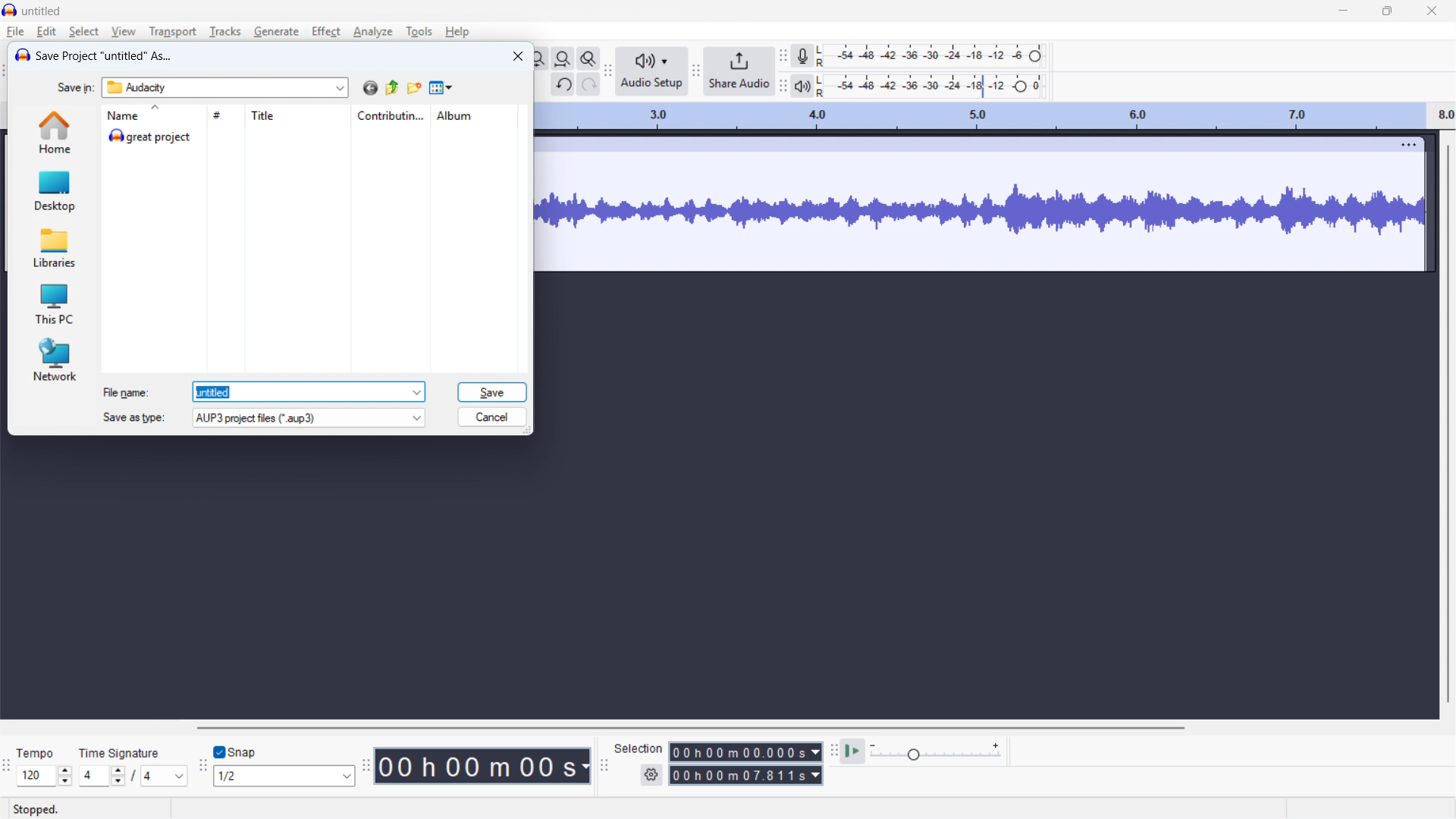 The image size is (1456, 819). Describe the element at coordinates (370, 88) in the screenshot. I see `go back` at that location.